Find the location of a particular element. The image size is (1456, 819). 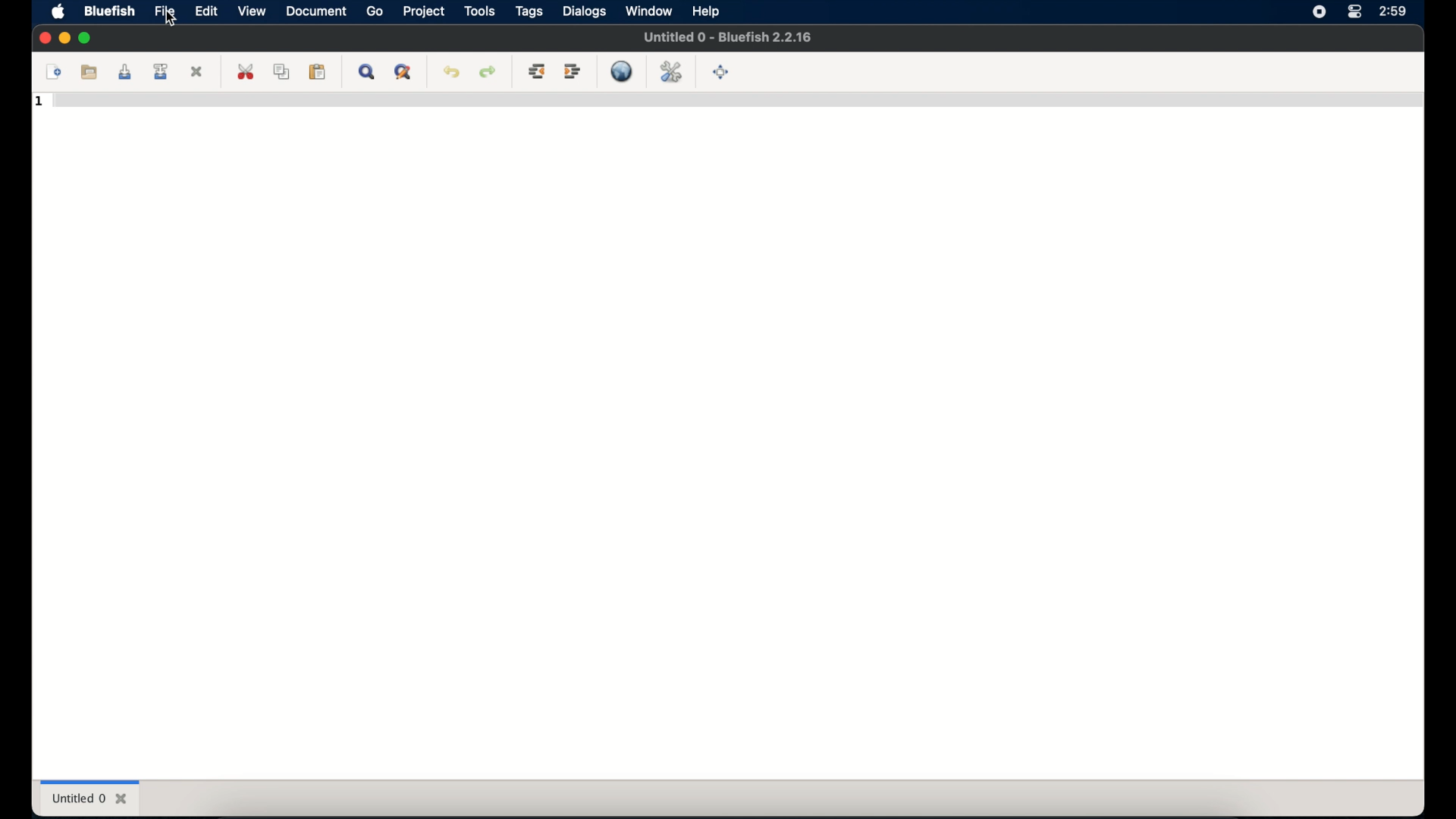

save file as is located at coordinates (162, 71).